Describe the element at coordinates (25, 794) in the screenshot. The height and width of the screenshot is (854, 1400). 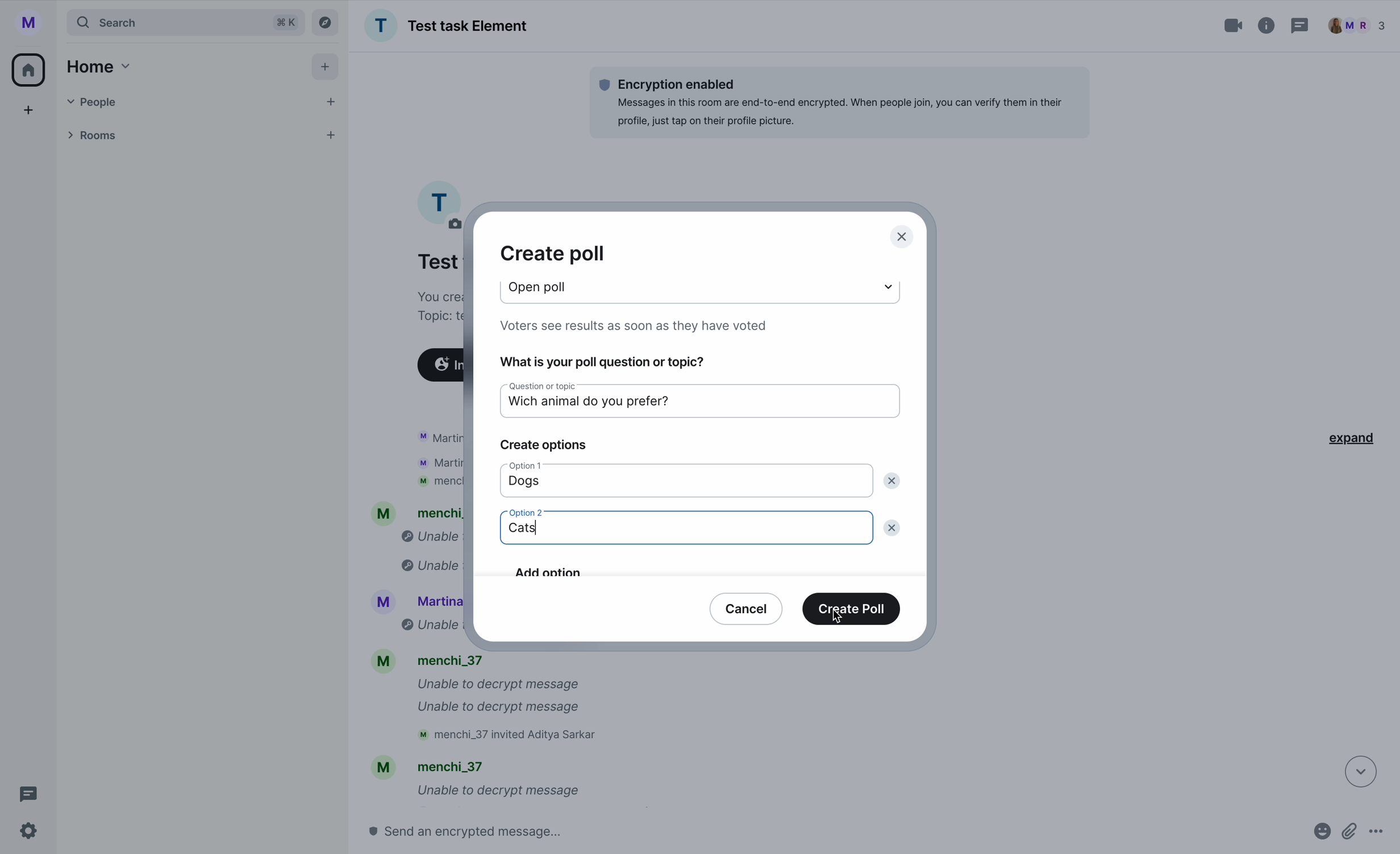
I see `threads` at that location.